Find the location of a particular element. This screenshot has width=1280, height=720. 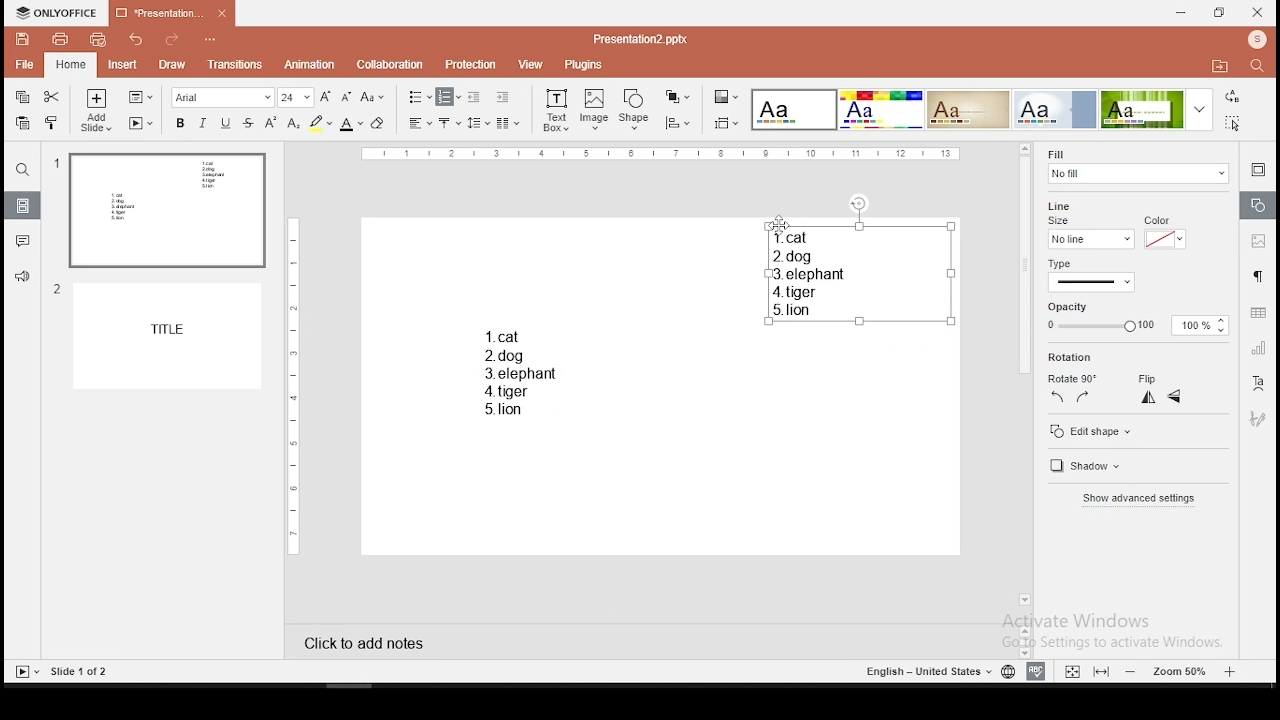

bold is located at coordinates (178, 122).